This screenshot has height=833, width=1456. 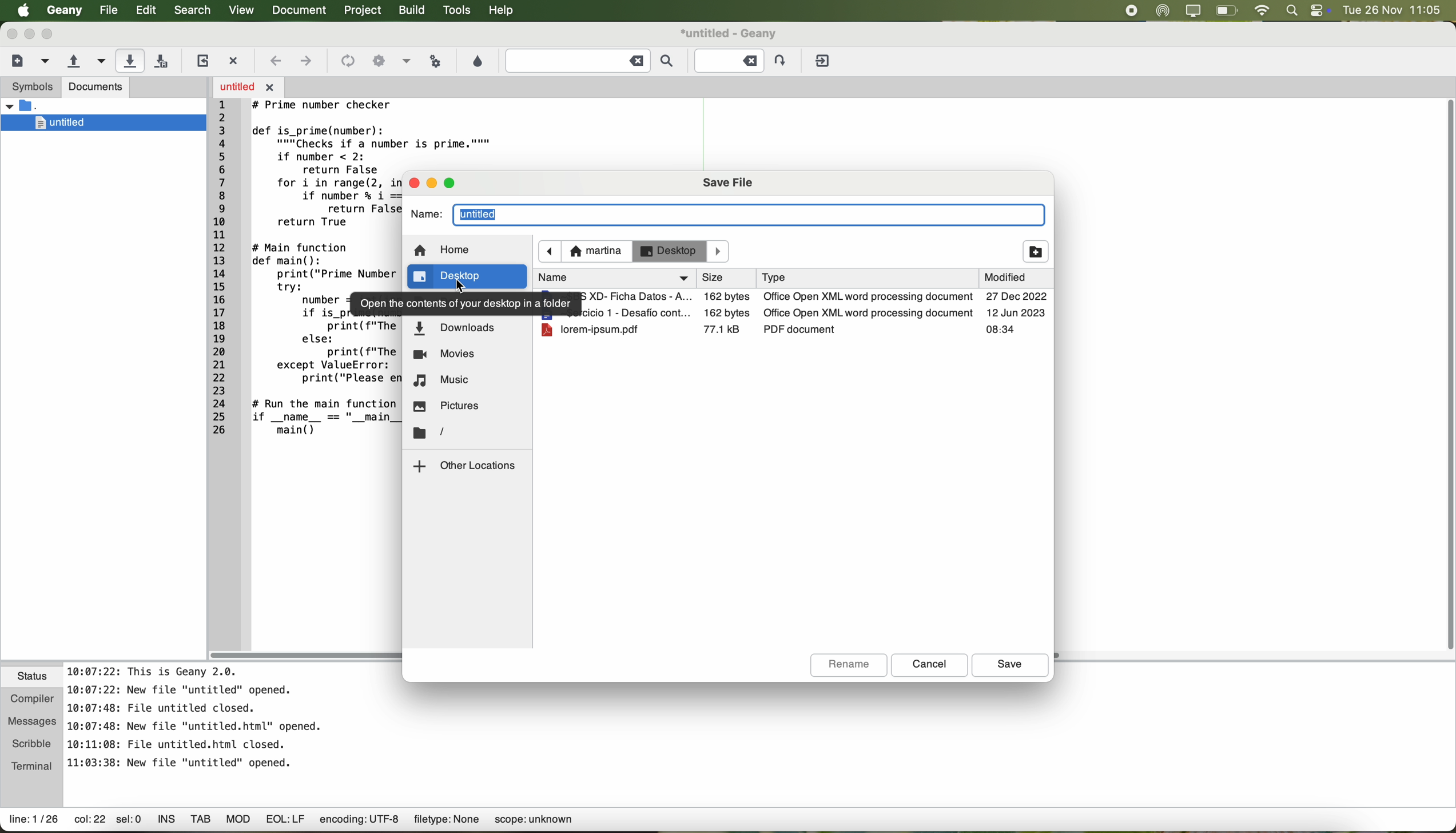 I want to click on Jump to the entered line number, so click(x=742, y=59).